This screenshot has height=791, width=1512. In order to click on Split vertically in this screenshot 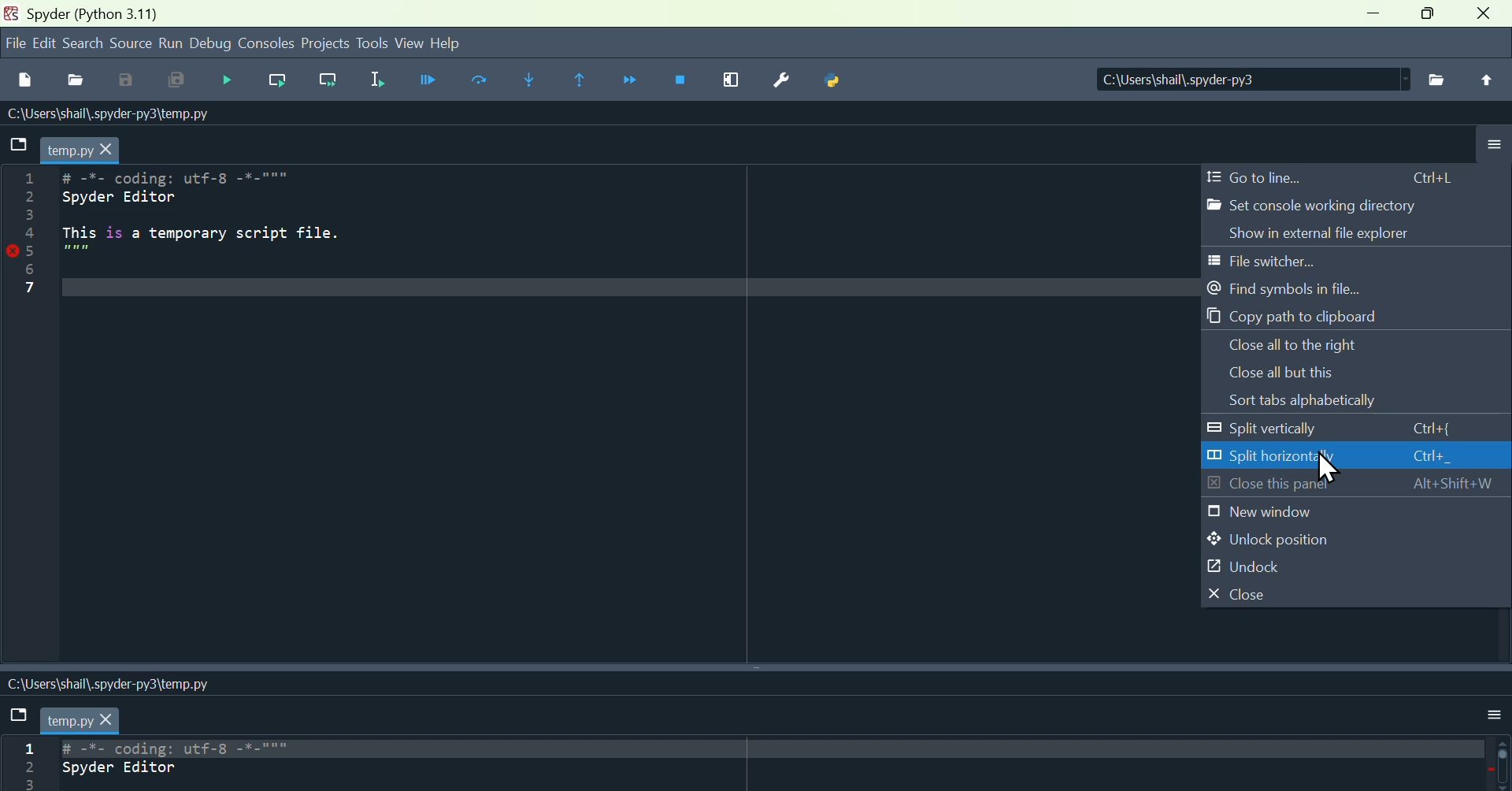, I will do `click(1325, 425)`.